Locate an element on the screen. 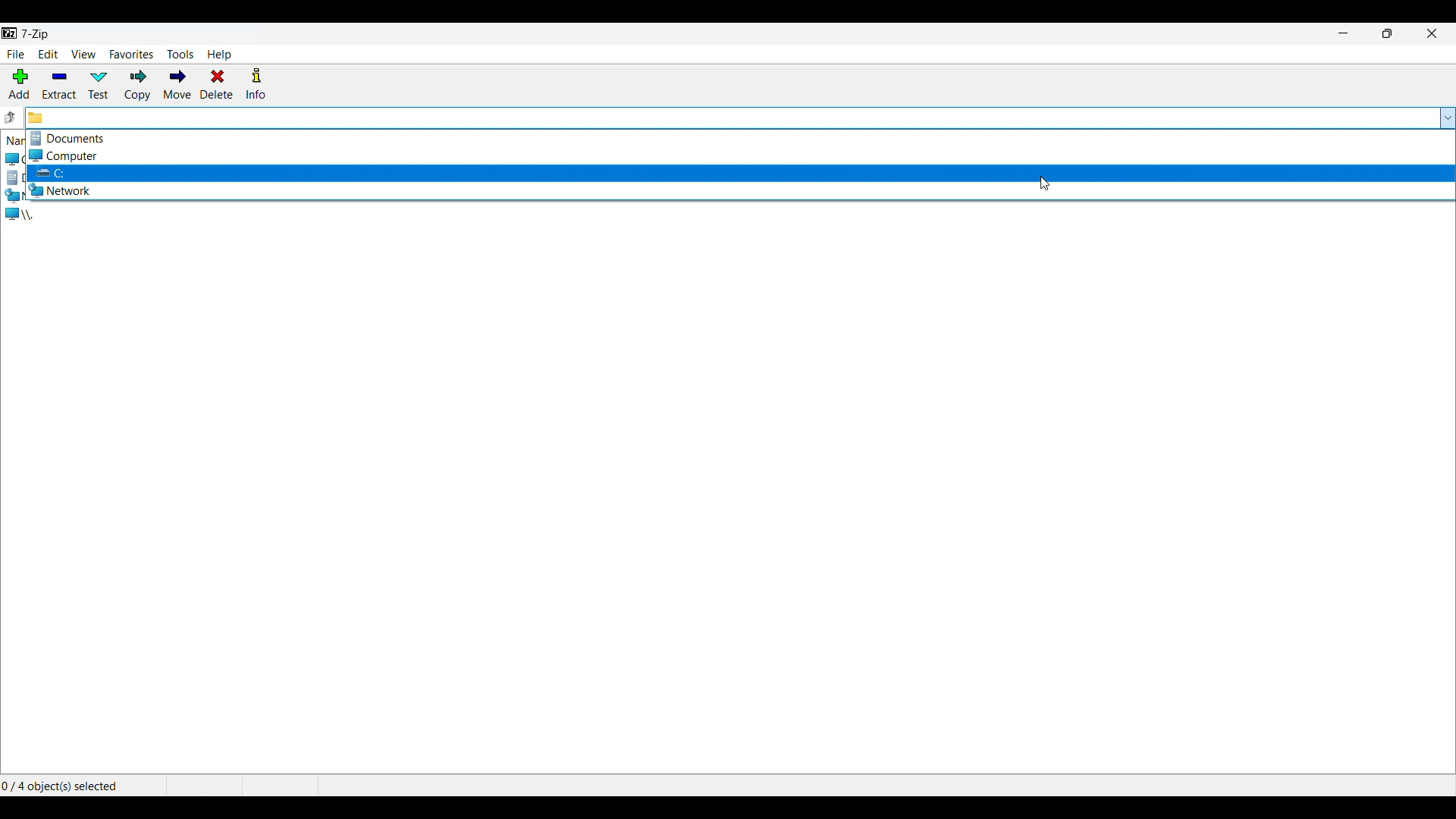  Favorites menu is located at coordinates (131, 54).